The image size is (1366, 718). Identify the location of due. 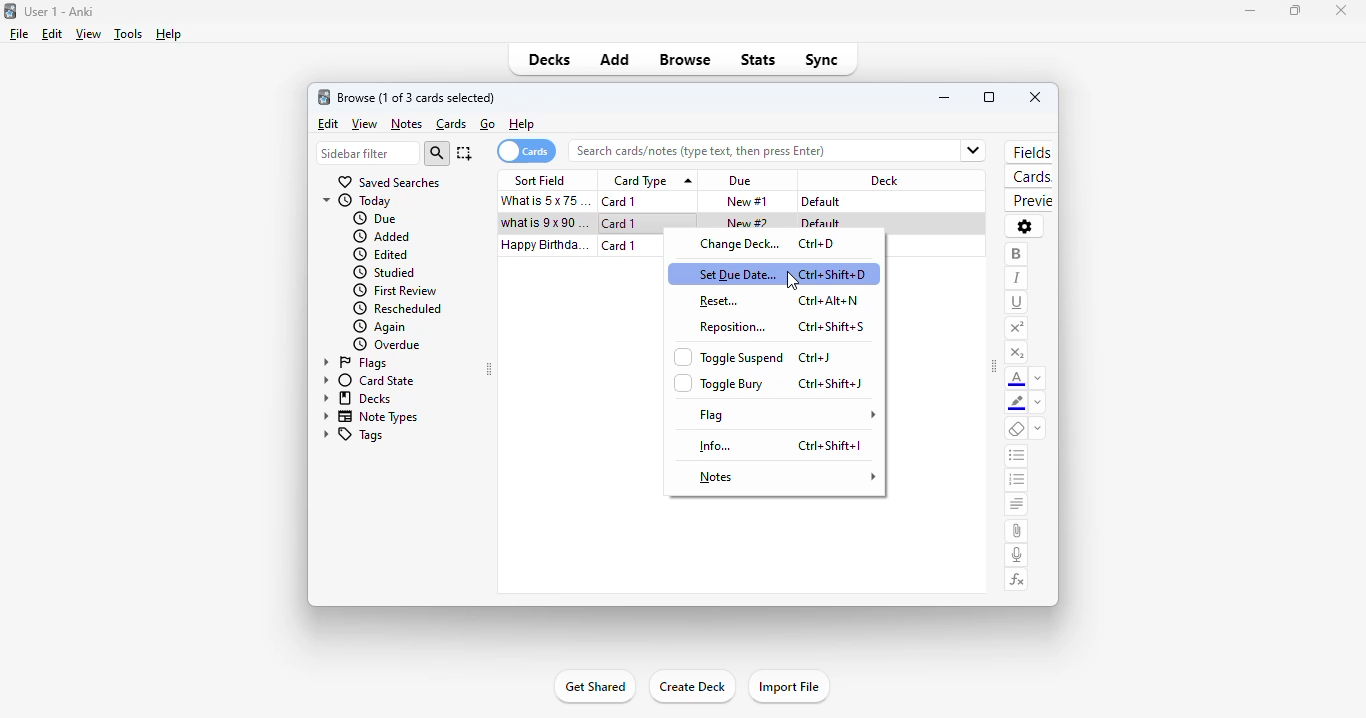
(375, 218).